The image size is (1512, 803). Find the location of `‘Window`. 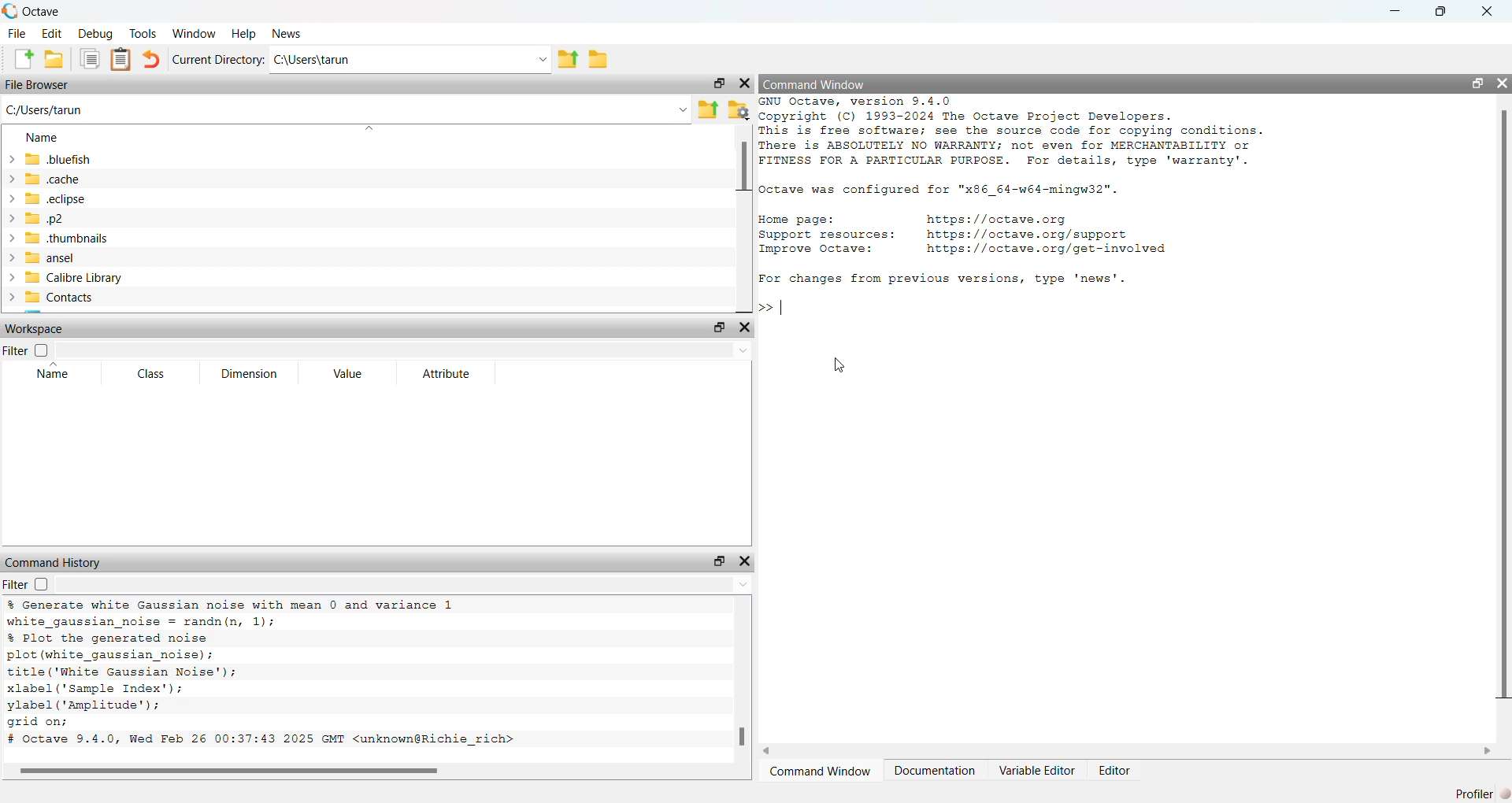

‘Window is located at coordinates (191, 33).